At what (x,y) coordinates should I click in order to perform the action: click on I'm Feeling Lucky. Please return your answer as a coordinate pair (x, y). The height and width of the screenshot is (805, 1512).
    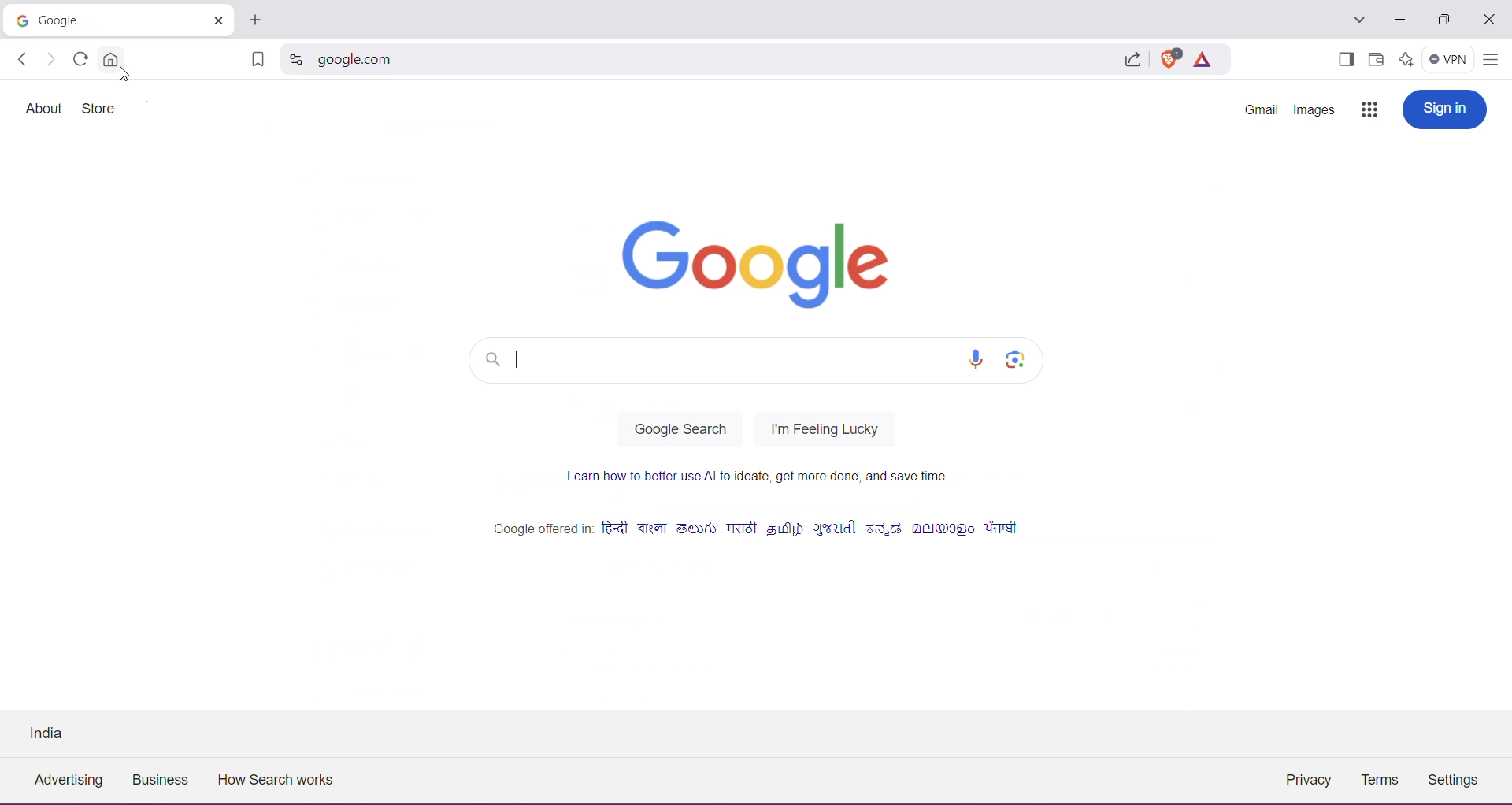
    Looking at the image, I should click on (821, 432).